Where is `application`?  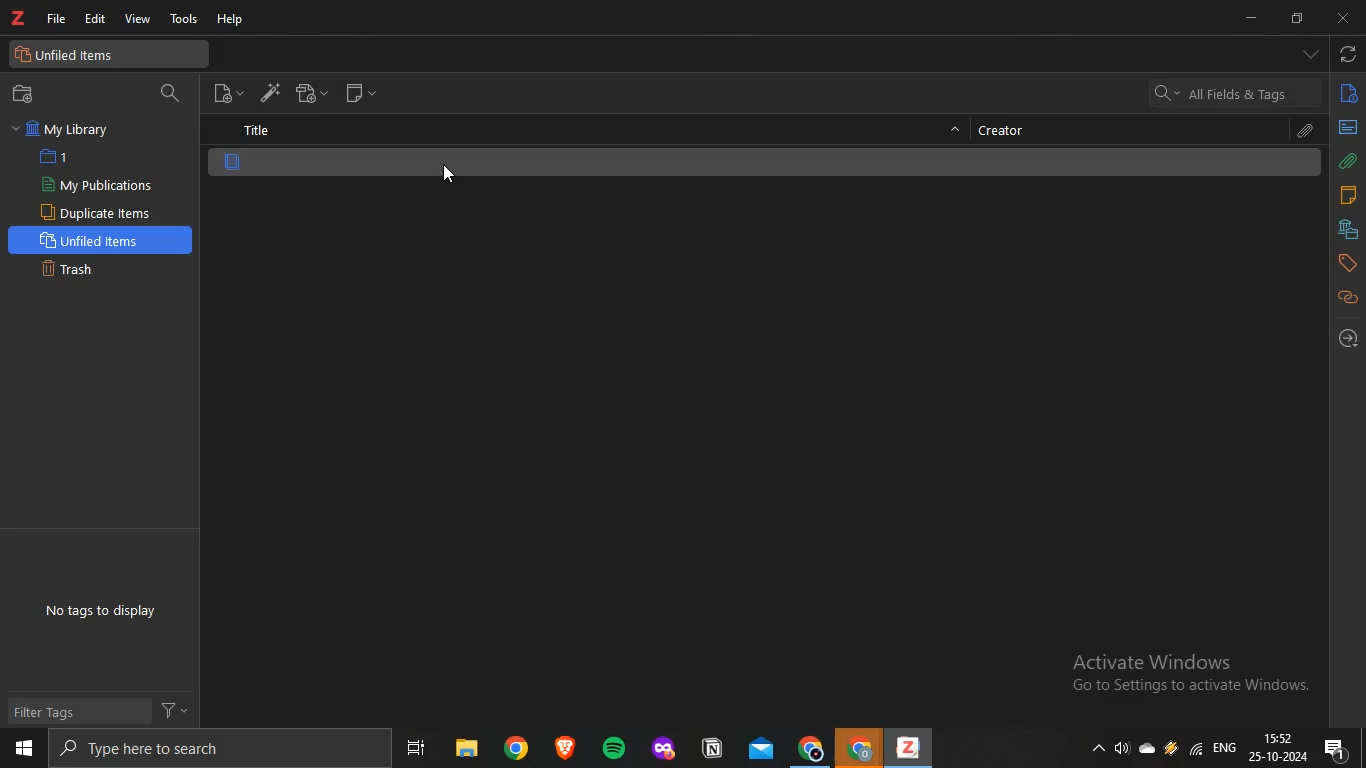
application is located at coordinates (715, 749).